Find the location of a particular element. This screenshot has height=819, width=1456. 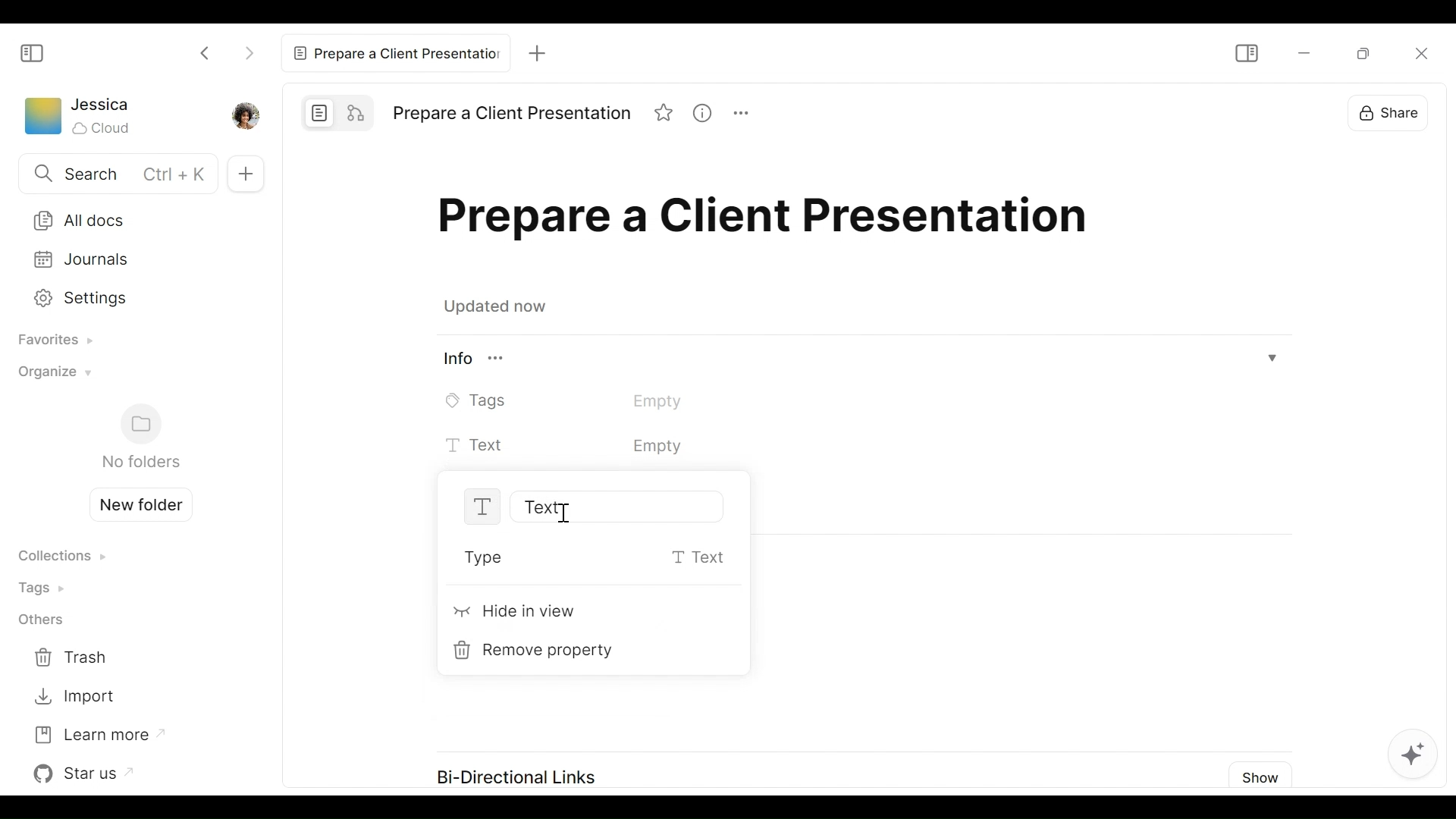

Cloud is located at coordinates (103, 128).